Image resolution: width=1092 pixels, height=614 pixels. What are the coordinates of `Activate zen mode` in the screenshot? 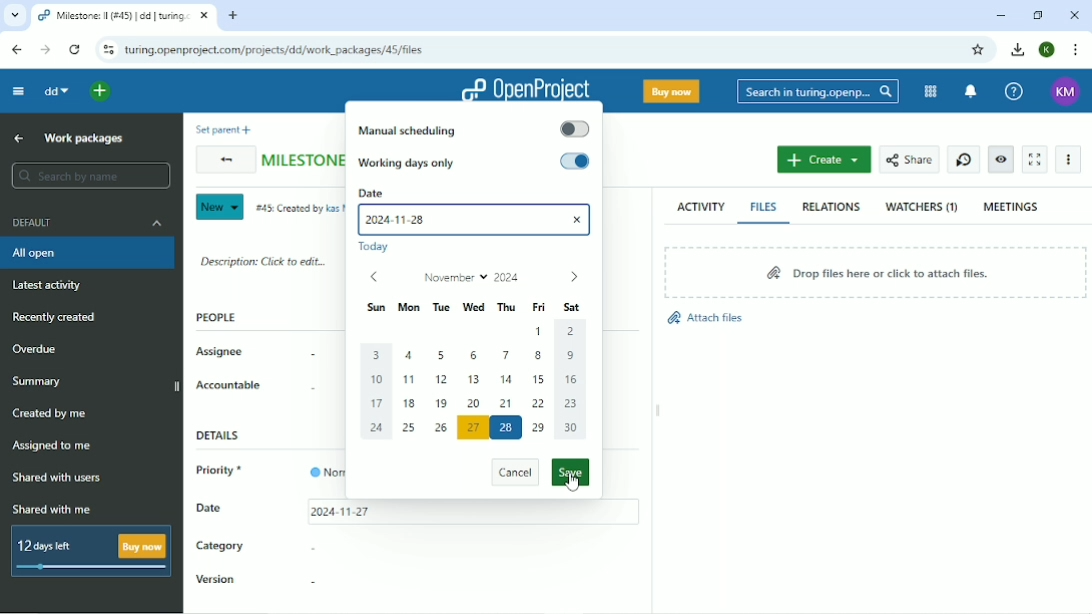 It's located at (1034, 159).